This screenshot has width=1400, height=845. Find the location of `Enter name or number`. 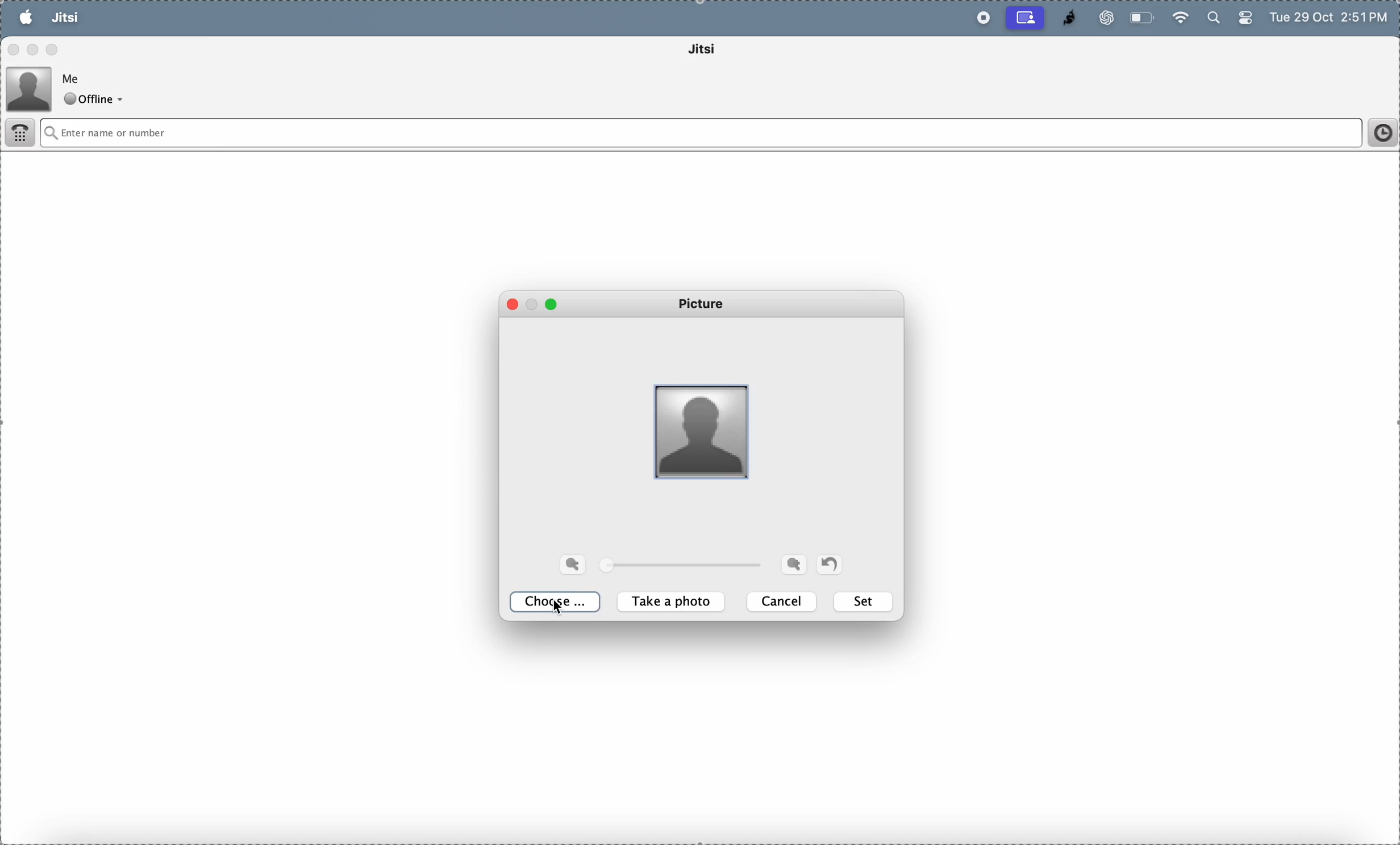

Enter name or number is located at coordinates (640, 133).